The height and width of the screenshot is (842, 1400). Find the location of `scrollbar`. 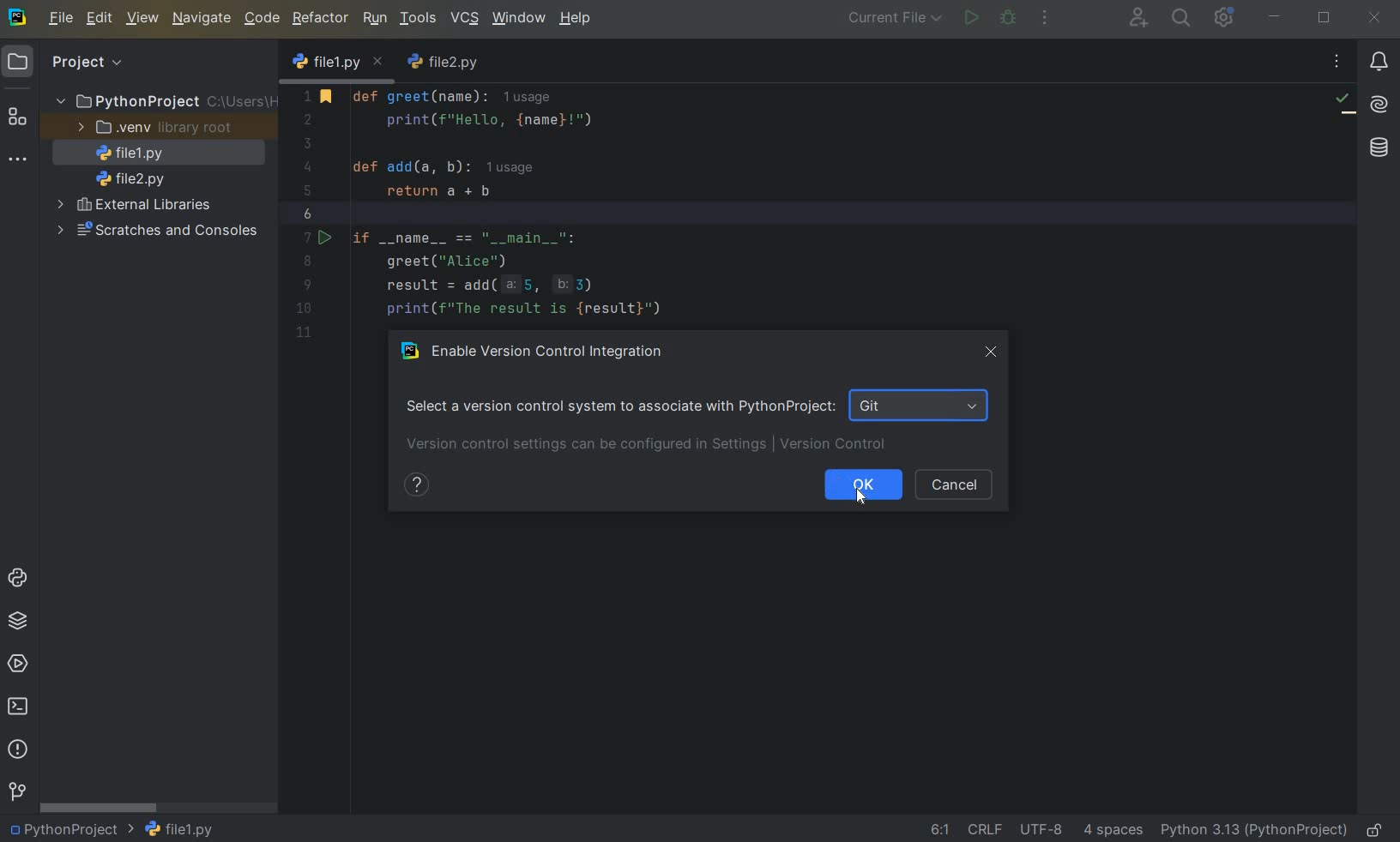

scrollbar is located at coordinates (100, 807).